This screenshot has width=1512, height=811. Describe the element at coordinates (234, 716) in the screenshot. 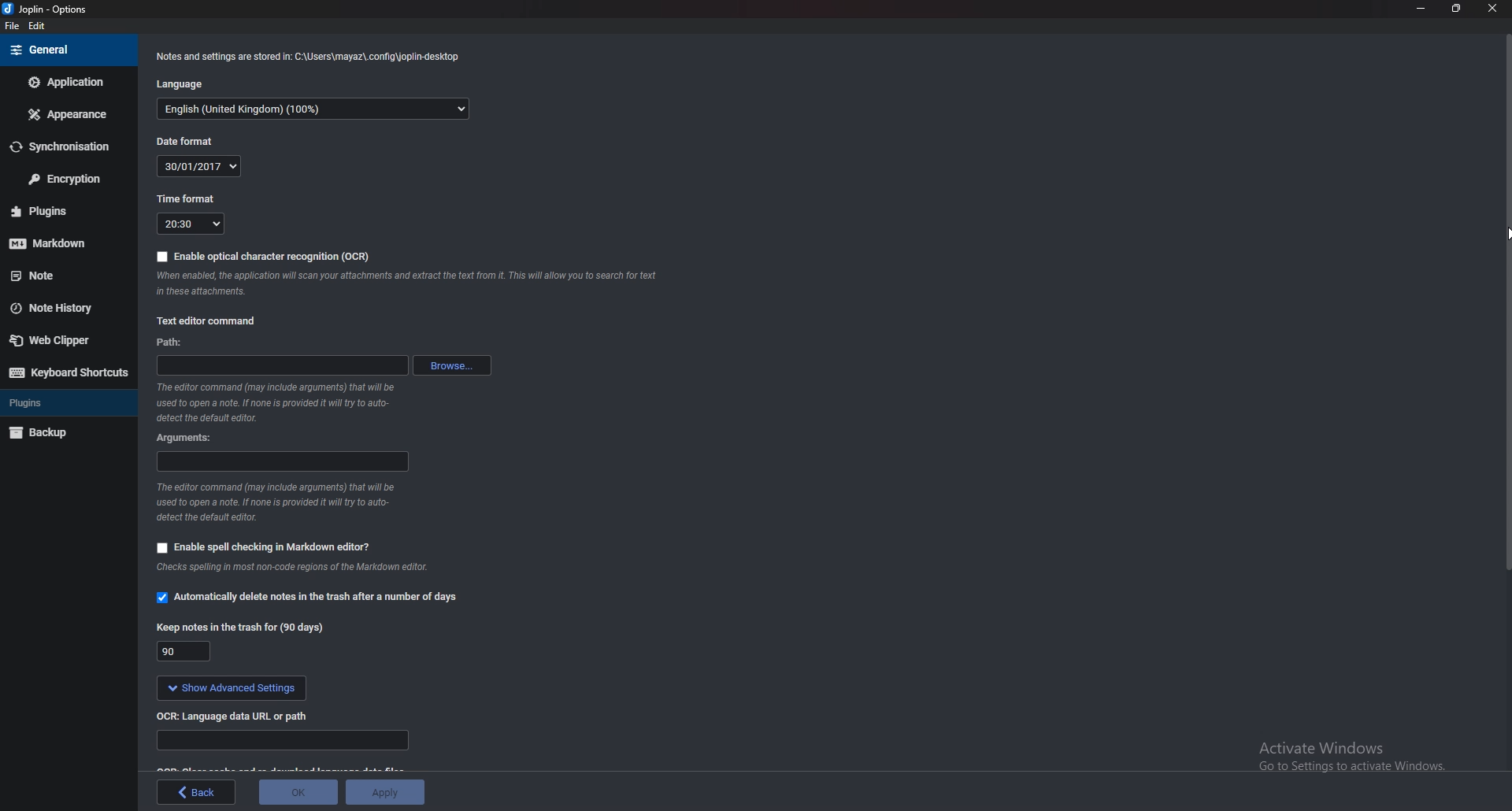

I see `ocr language data url or path` at that location.